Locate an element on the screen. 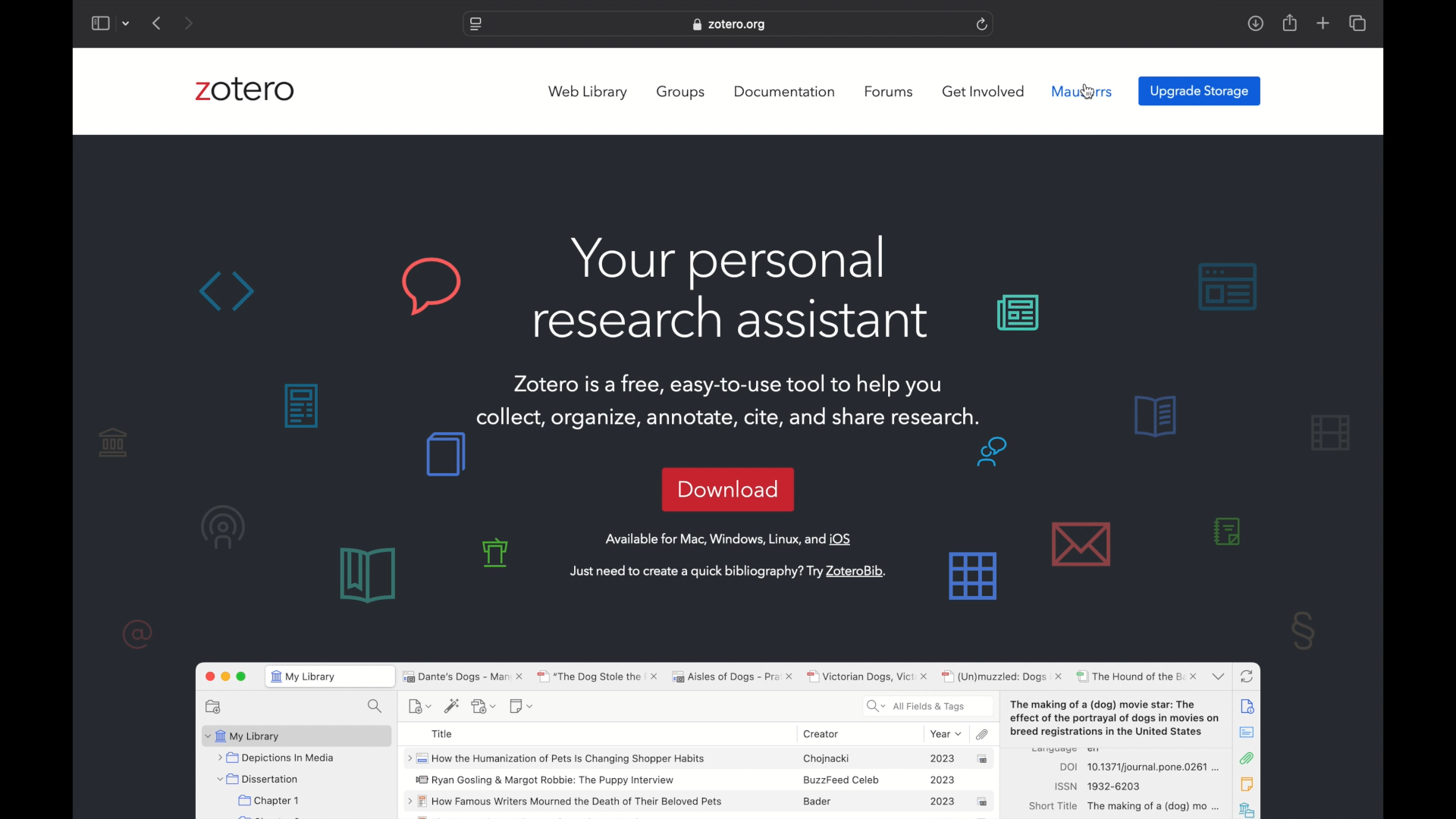 Image resolution: width=1456 pixels, height=819 pixels. Zotero is a free, easy-to-use tool to help youcollect, organize, annotate, cite, and share research. is located at coordinates (739, 403).